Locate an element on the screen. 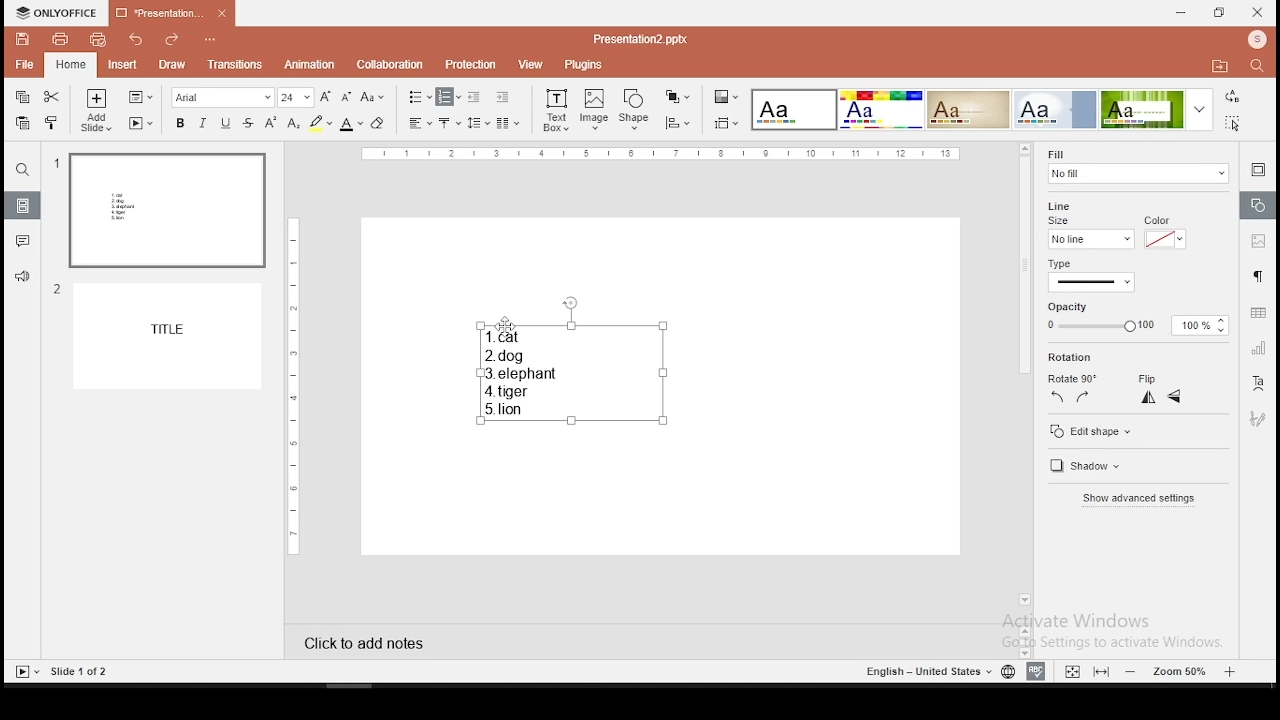 This screenshot has width=1280, height=720. collaboration is located at coordinates (390, 65).